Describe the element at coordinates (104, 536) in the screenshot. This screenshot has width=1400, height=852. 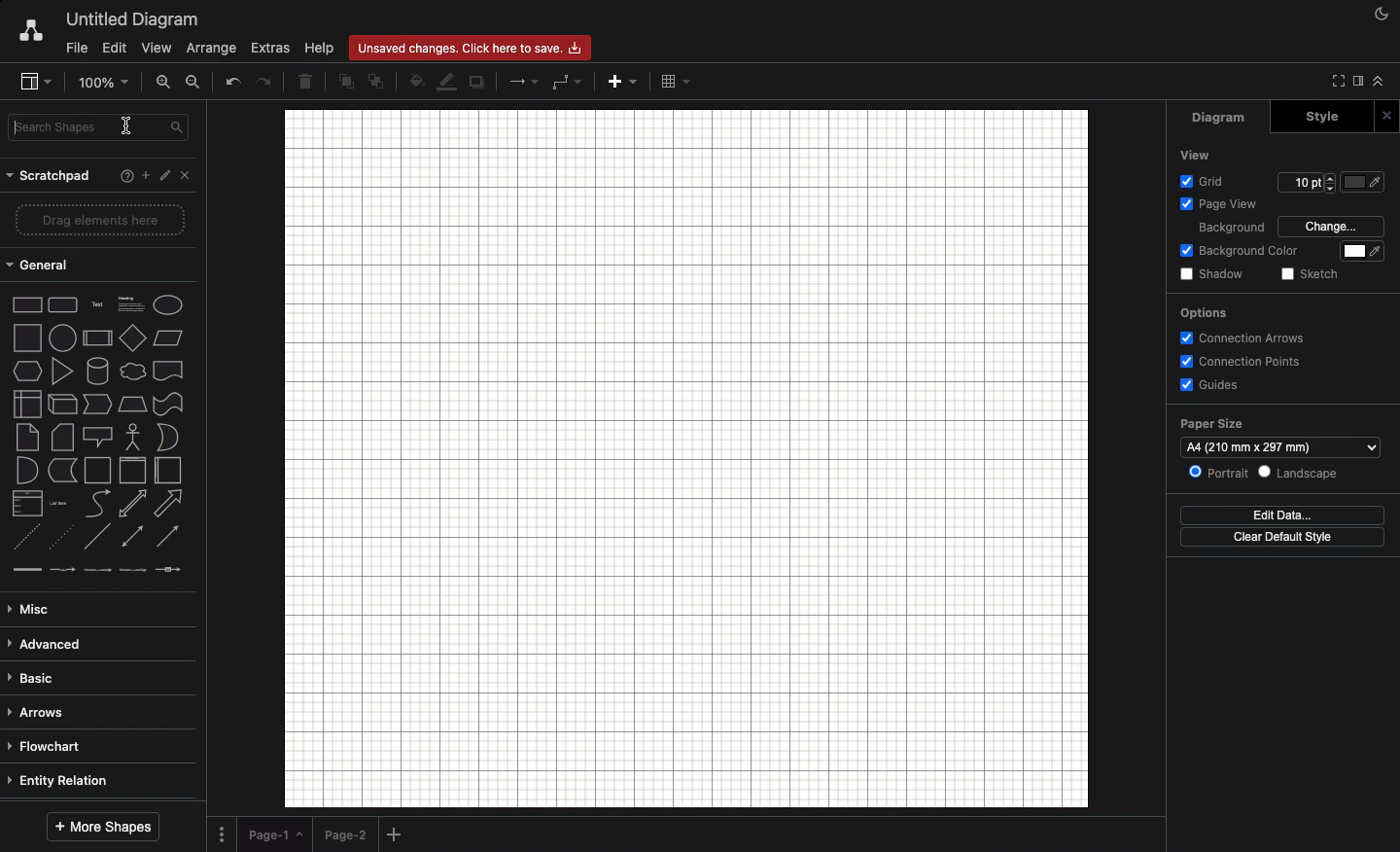
I see `type of arrow` at that location.